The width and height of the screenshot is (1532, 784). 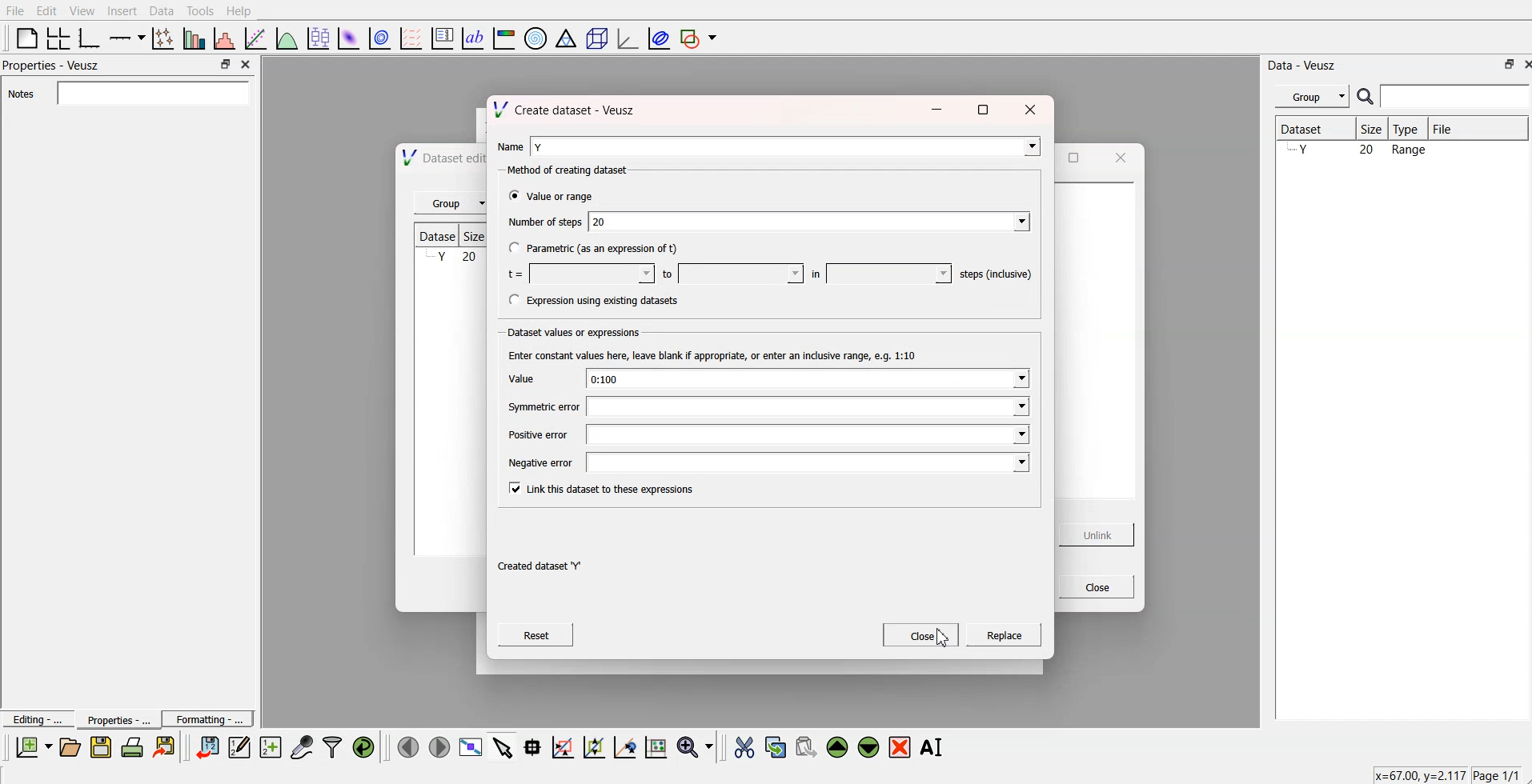 I want to click on File, so click(x=15, y=11).